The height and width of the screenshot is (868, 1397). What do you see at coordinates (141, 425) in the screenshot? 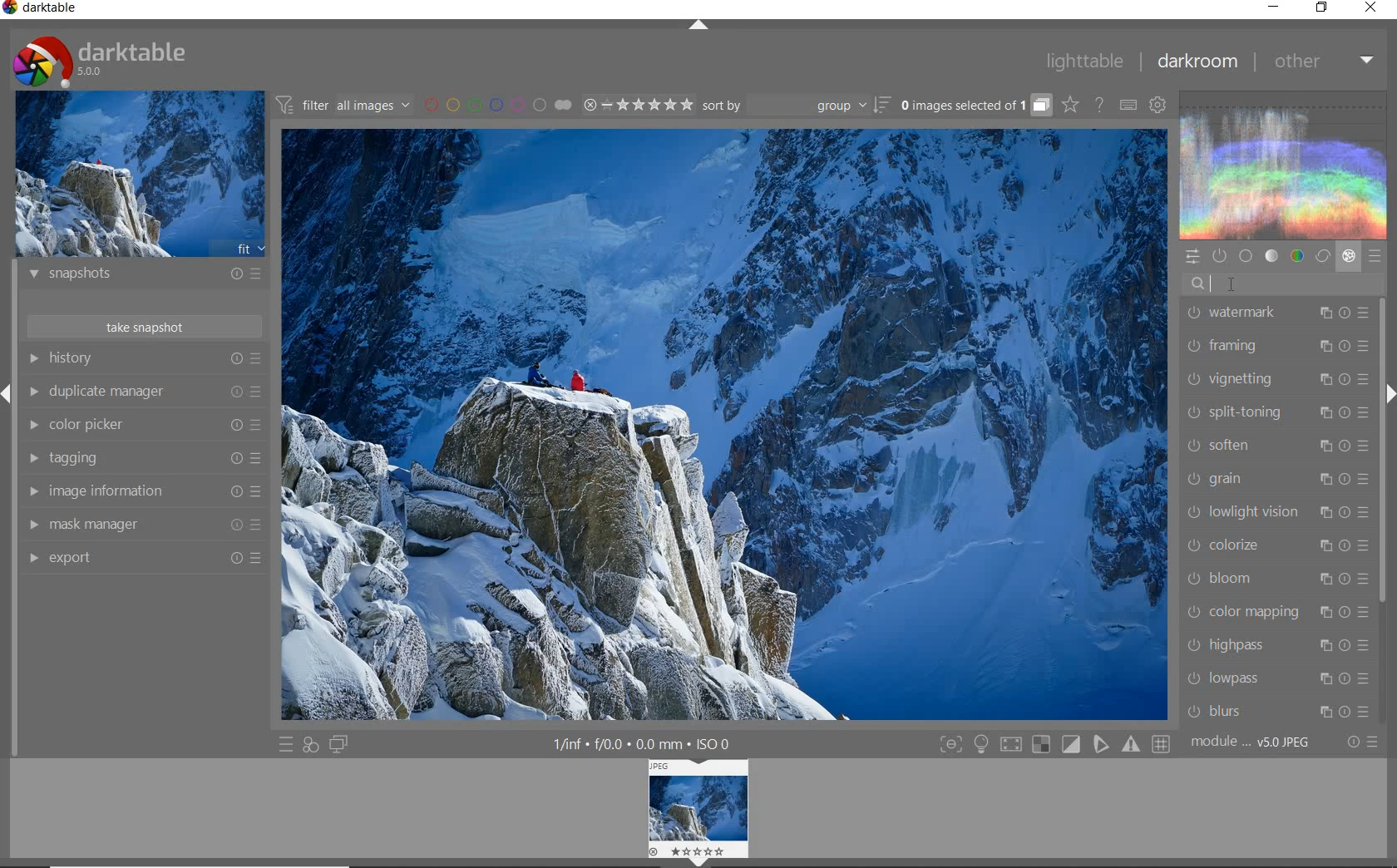
I see `color picker` at bounding box center [141, 425].